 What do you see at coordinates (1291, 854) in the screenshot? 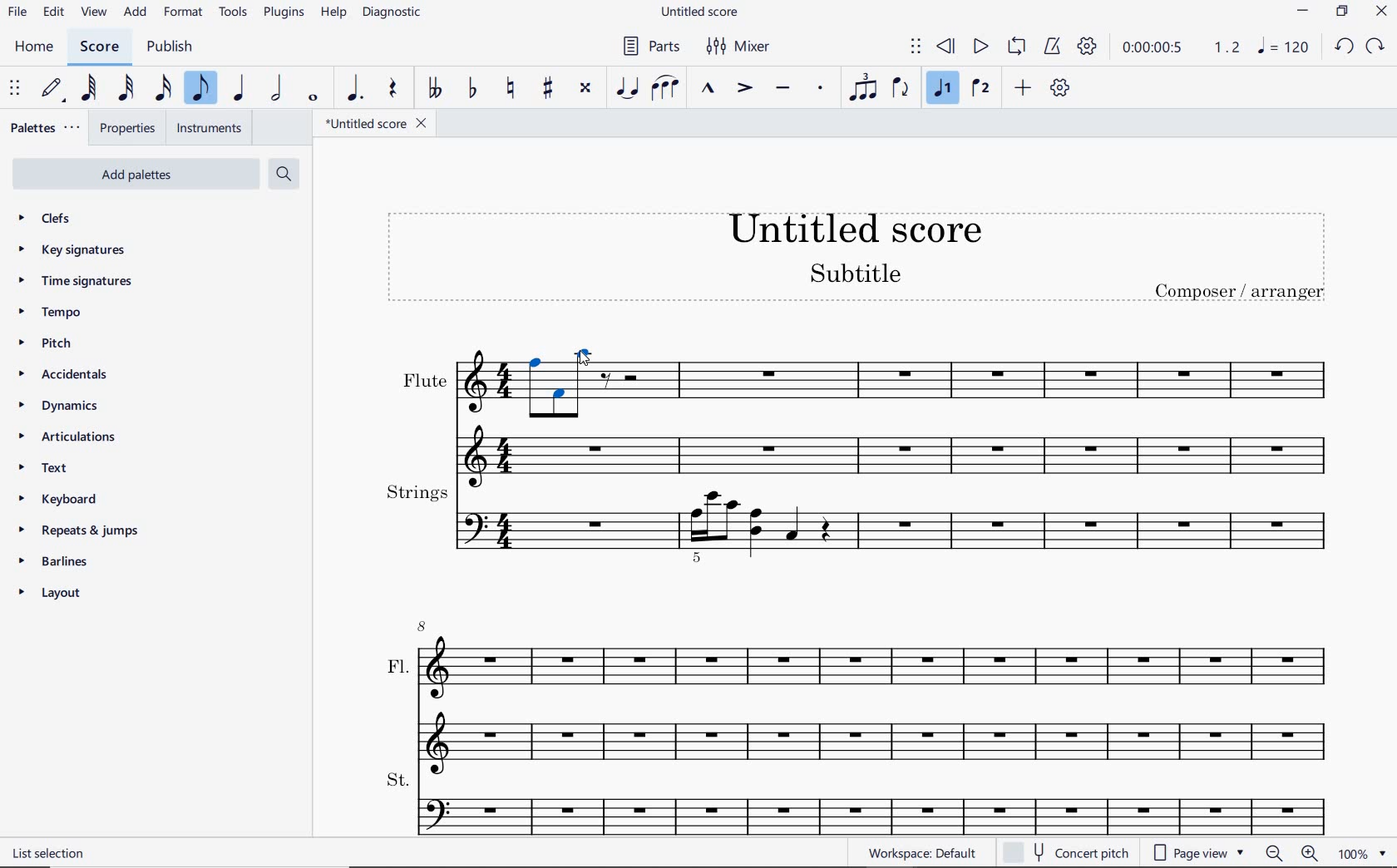
I see `zoom out or zoom in` at bounding box center [1291, 854].